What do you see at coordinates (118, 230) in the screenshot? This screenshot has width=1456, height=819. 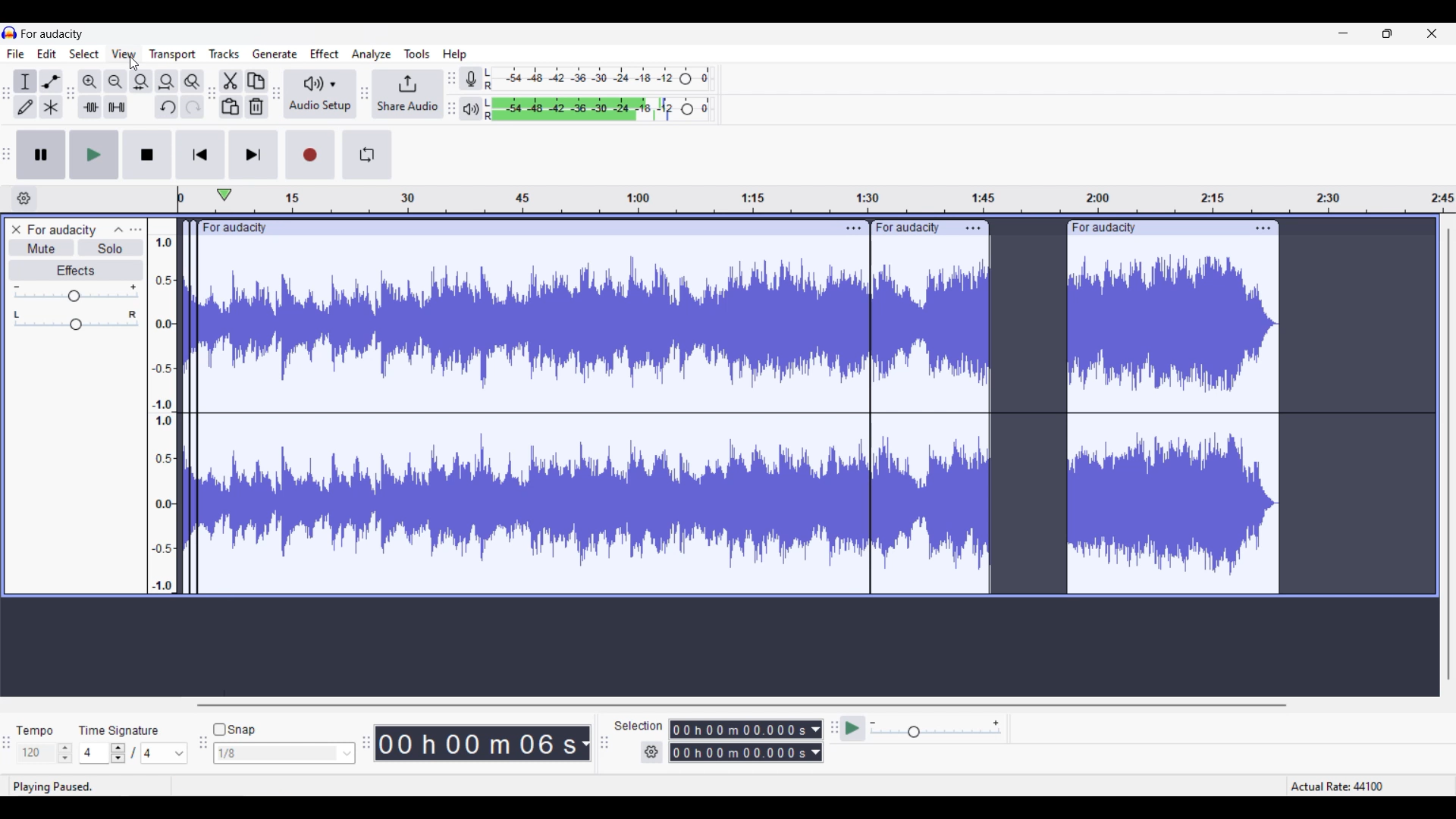 I see `Collapse` at bounding box center [118, 230].